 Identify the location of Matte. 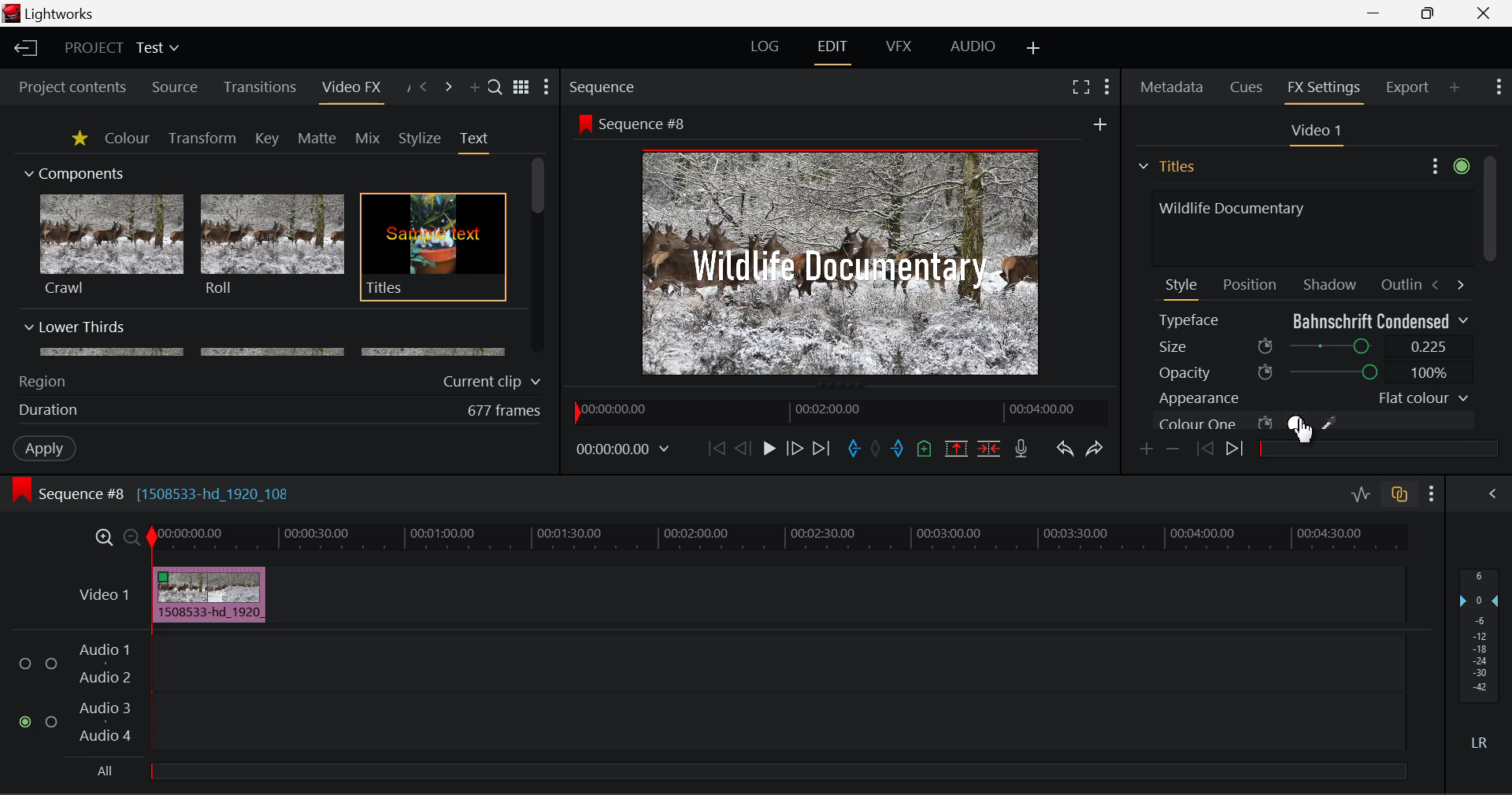
(316, 138).